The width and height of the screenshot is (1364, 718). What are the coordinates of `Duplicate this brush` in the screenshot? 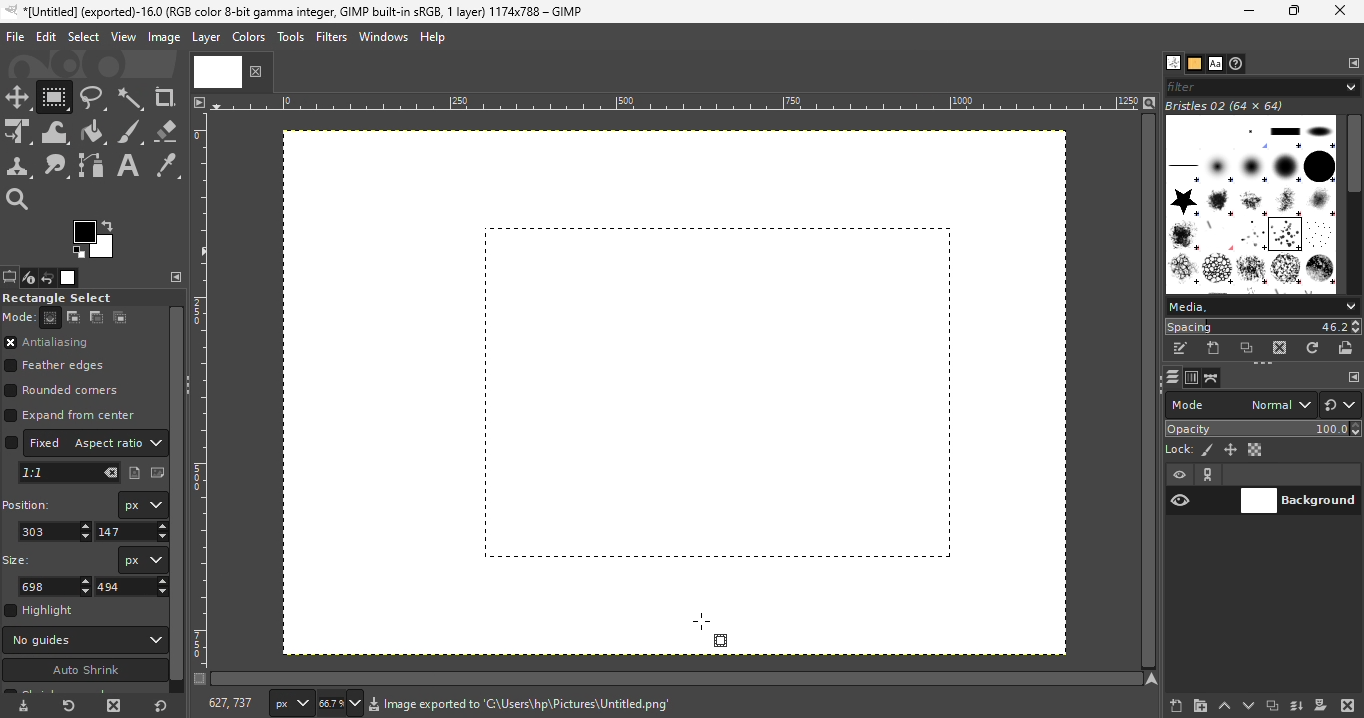 It's located at (1248, 348).